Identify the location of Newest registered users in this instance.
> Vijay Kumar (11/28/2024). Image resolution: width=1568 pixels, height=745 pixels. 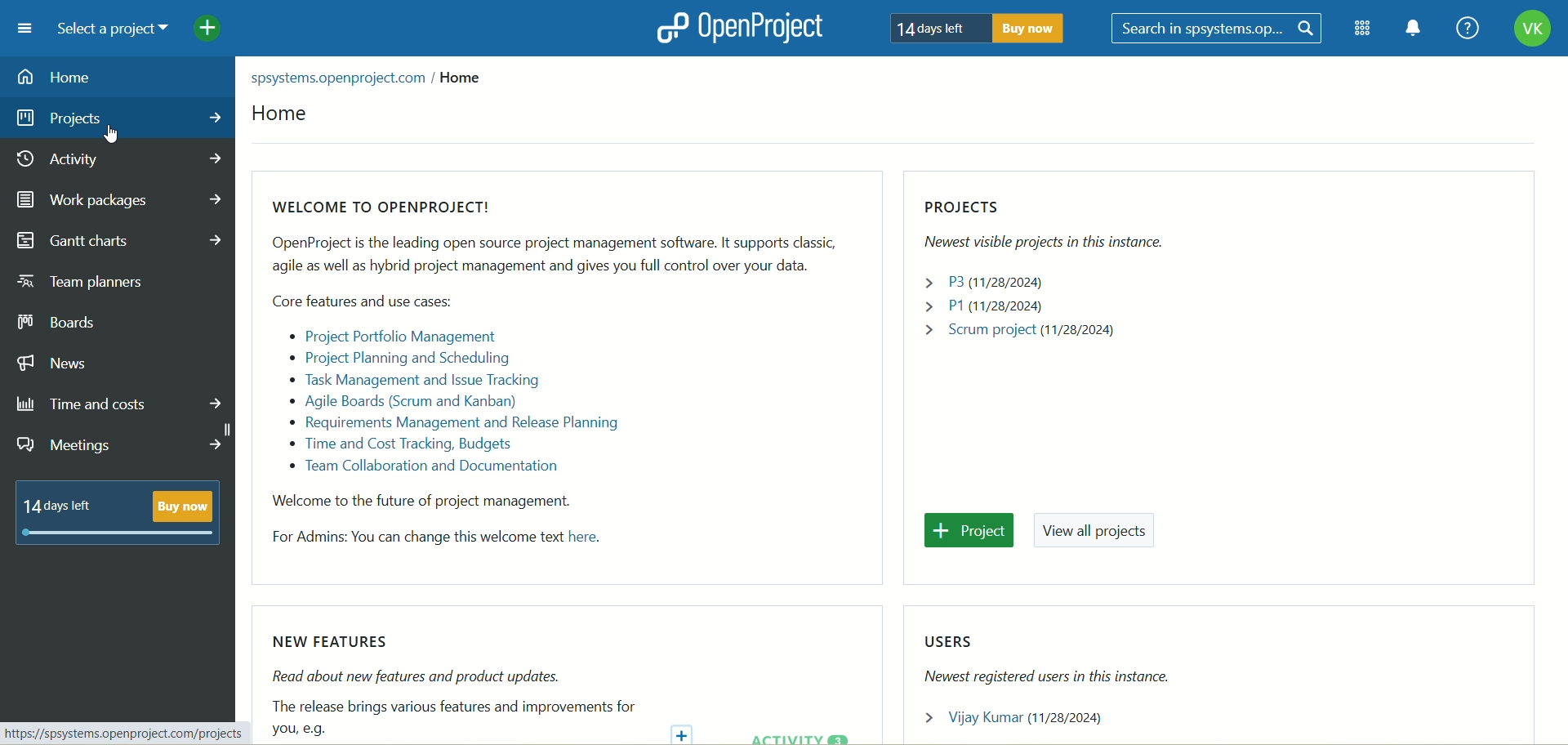
(1039, 697).